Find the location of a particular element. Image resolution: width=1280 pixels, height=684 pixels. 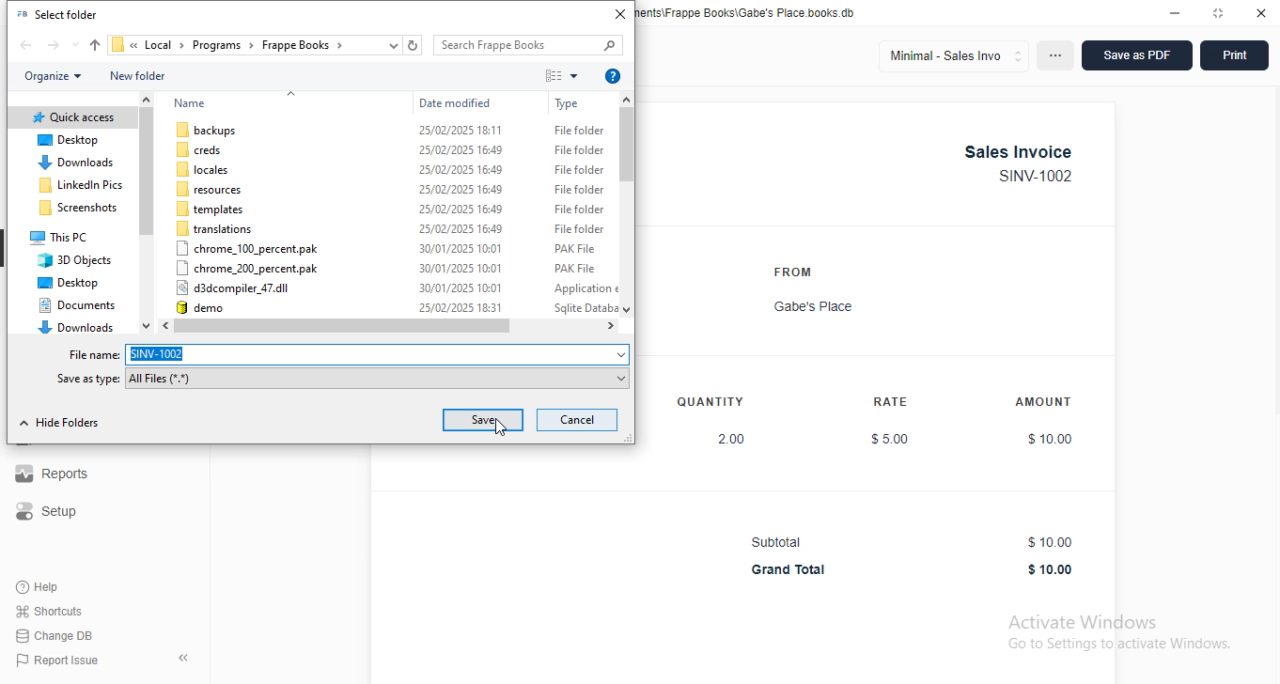

PAK file is located at coordinates (575, 249).